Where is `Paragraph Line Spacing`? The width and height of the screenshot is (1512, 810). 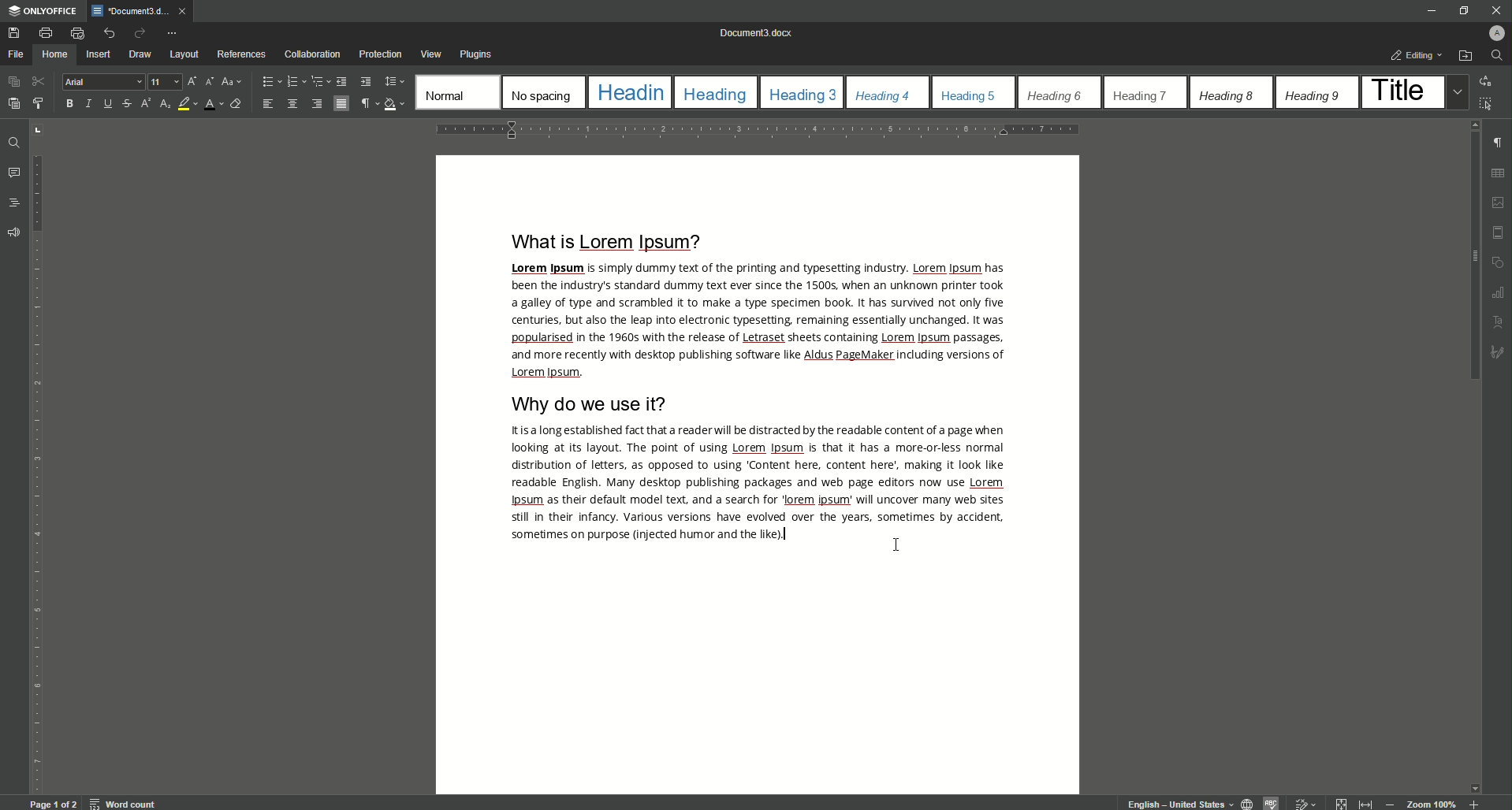 Paragraph Line Spacing is located at coordinates (395, 80).